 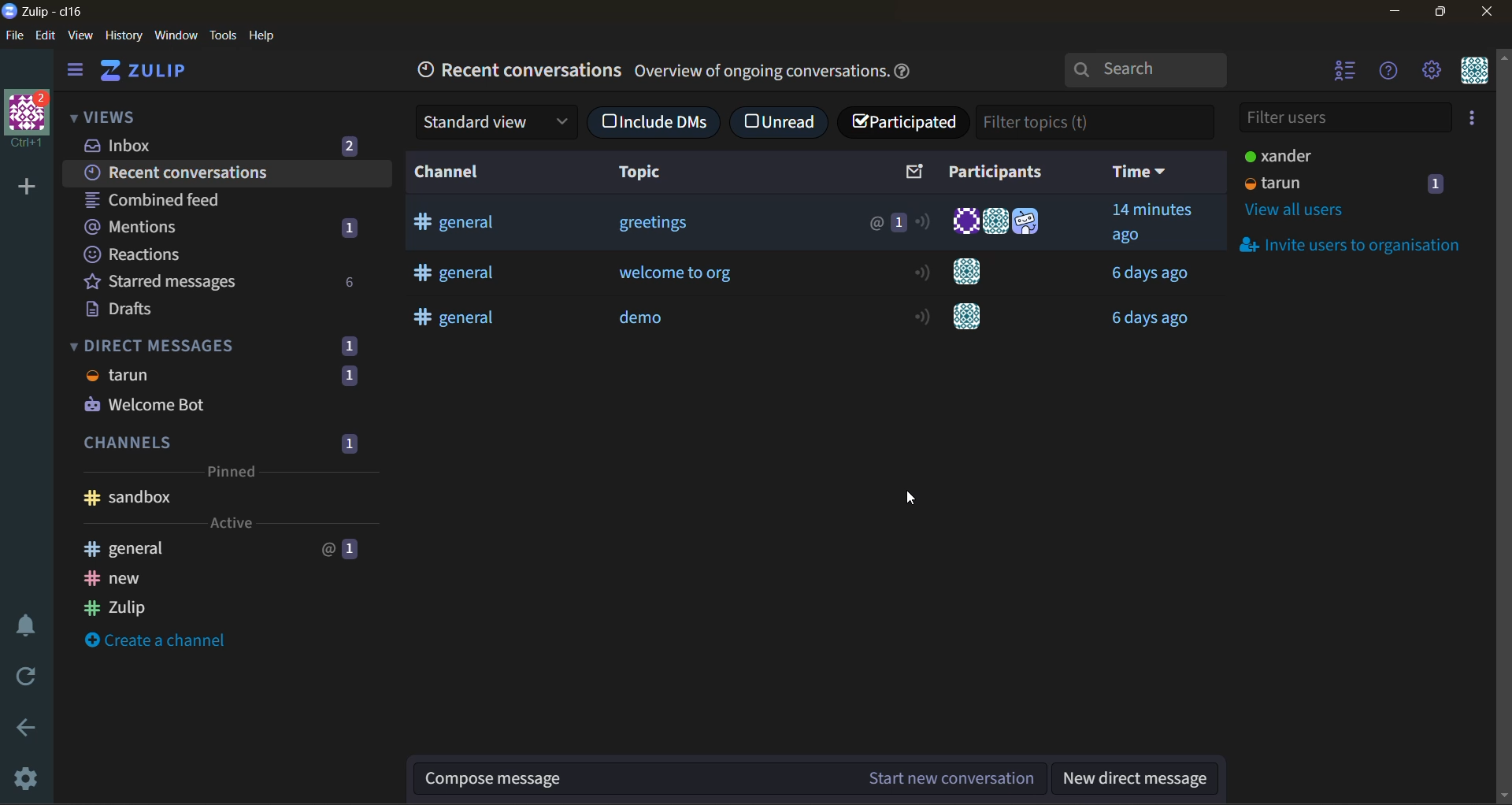 I want to click on personal menu, so click(x=1474, y=72).